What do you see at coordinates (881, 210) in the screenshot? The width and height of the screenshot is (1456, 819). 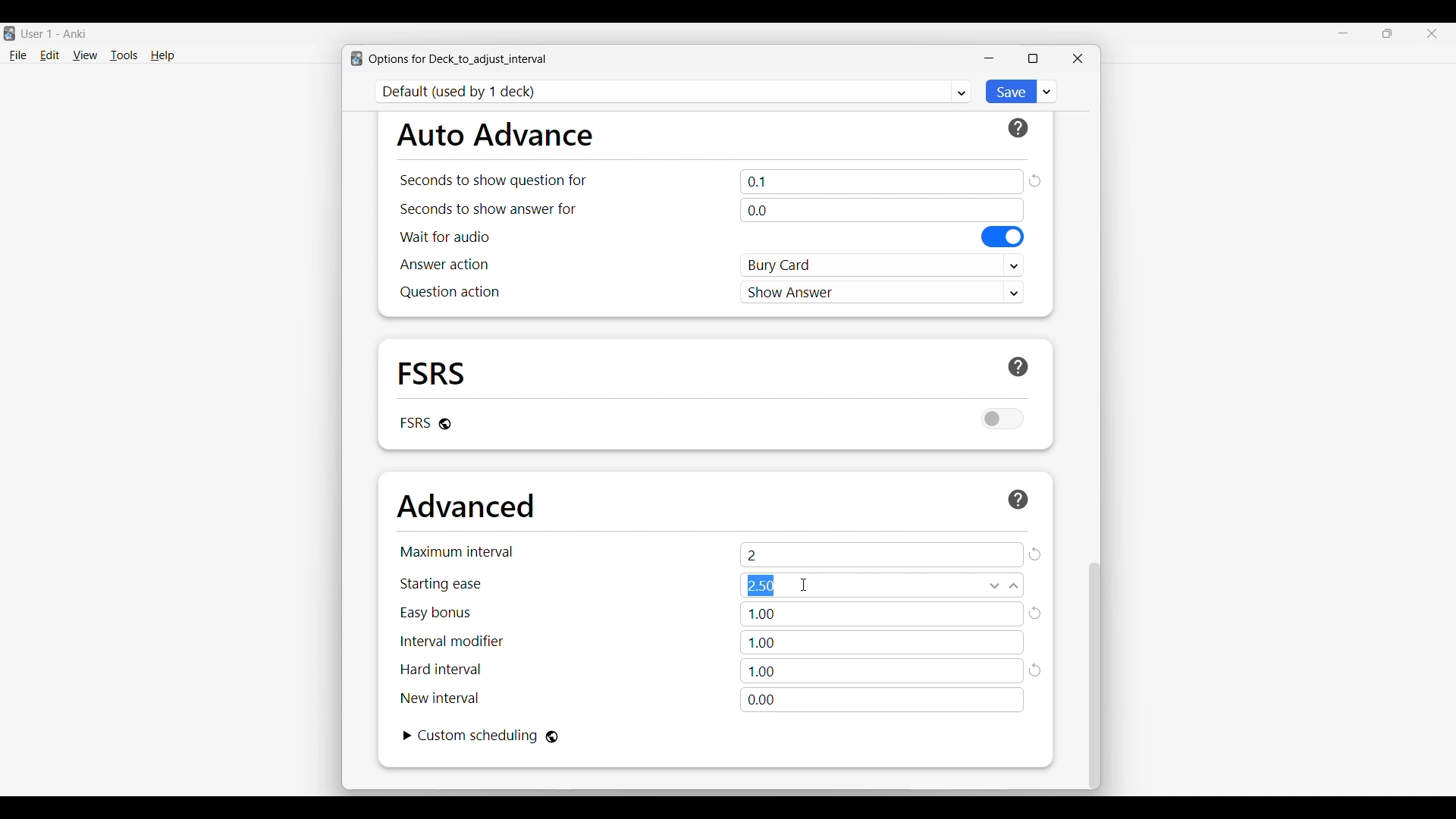 I see `0.0` at bounding box center [881, 210].